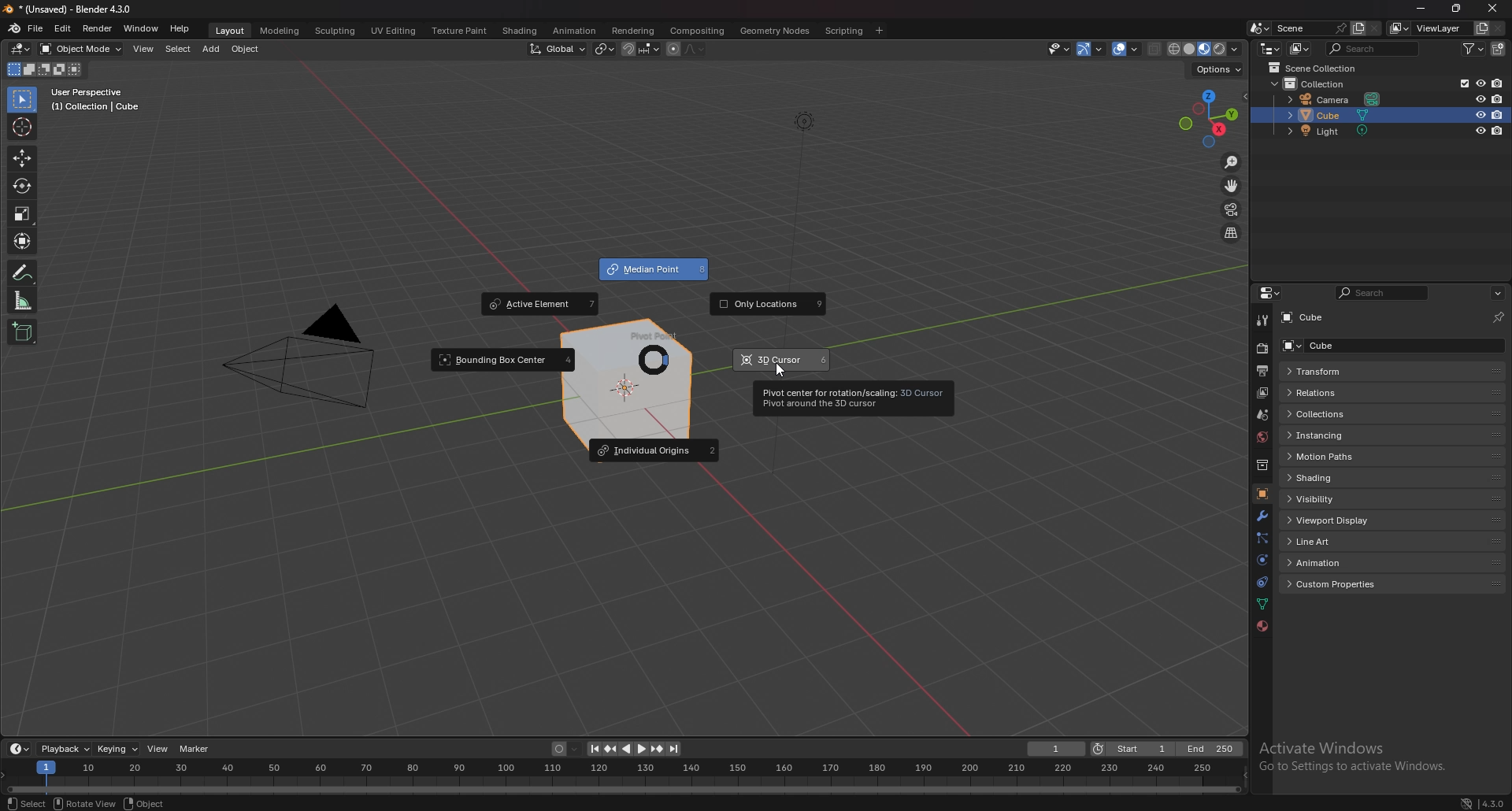 The image size is (1512, 811). What do you see at coordinates (1376, 28) in the screenshot?
I see `delete scene` at bounding box center [1376, 28].